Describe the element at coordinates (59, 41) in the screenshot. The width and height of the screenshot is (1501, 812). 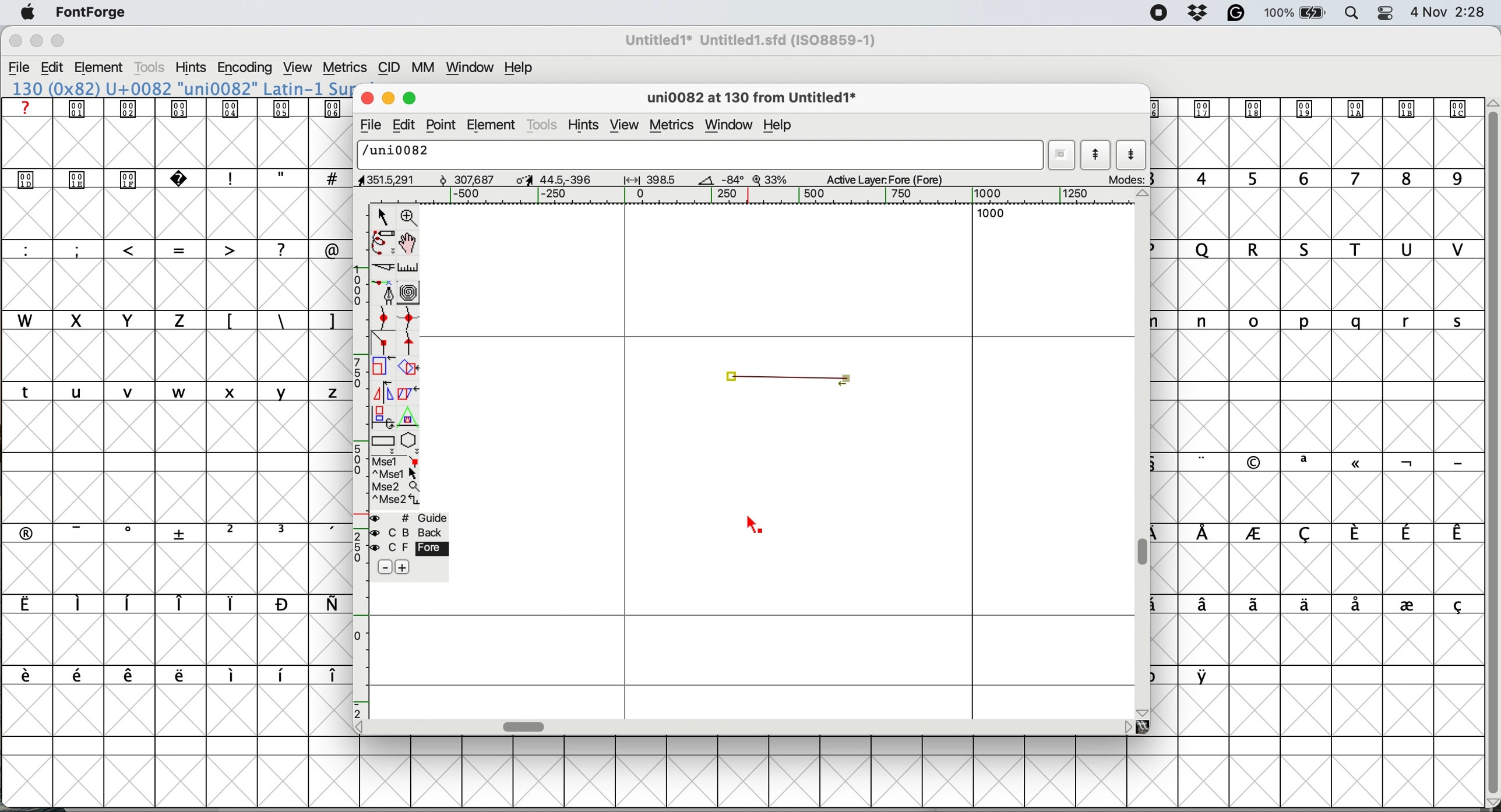
I see `maximise` at that location.